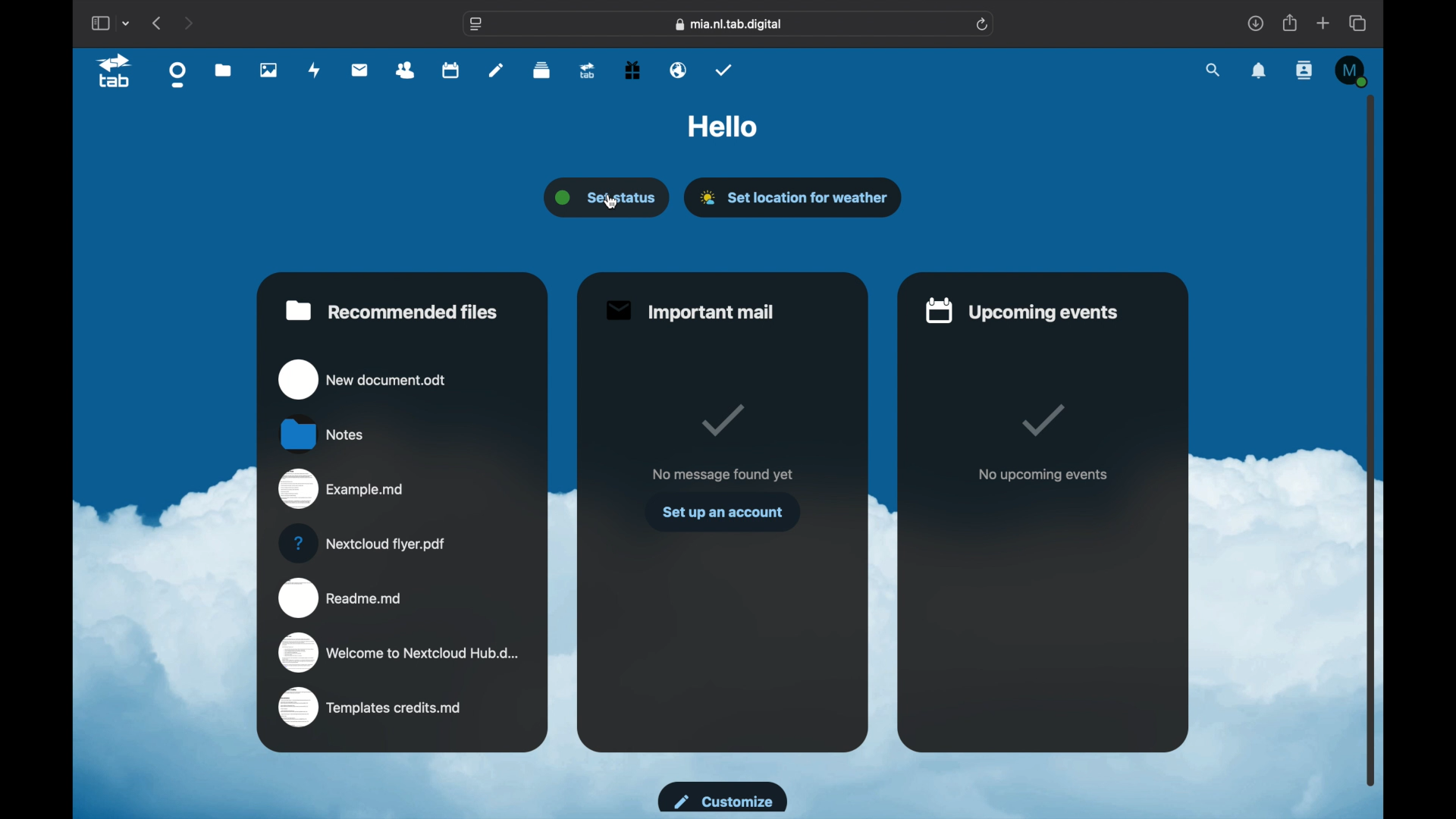 The height and width of the screenshot is (819, 1456). Describe the element at coordinates (476, 25) in the screenshot. I see `website settings` at that location.